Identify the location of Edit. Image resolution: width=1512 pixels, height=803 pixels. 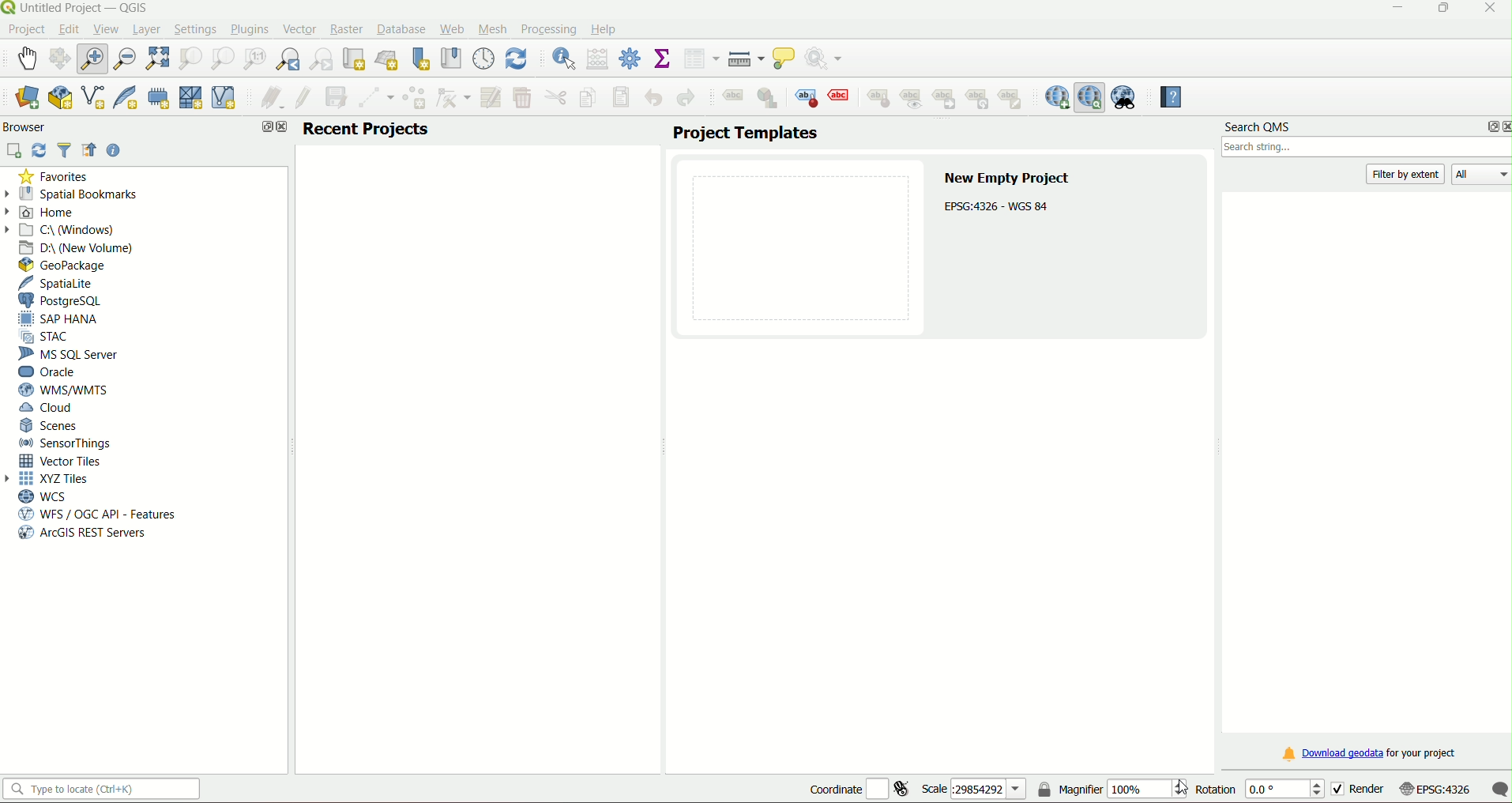
(68, 29).